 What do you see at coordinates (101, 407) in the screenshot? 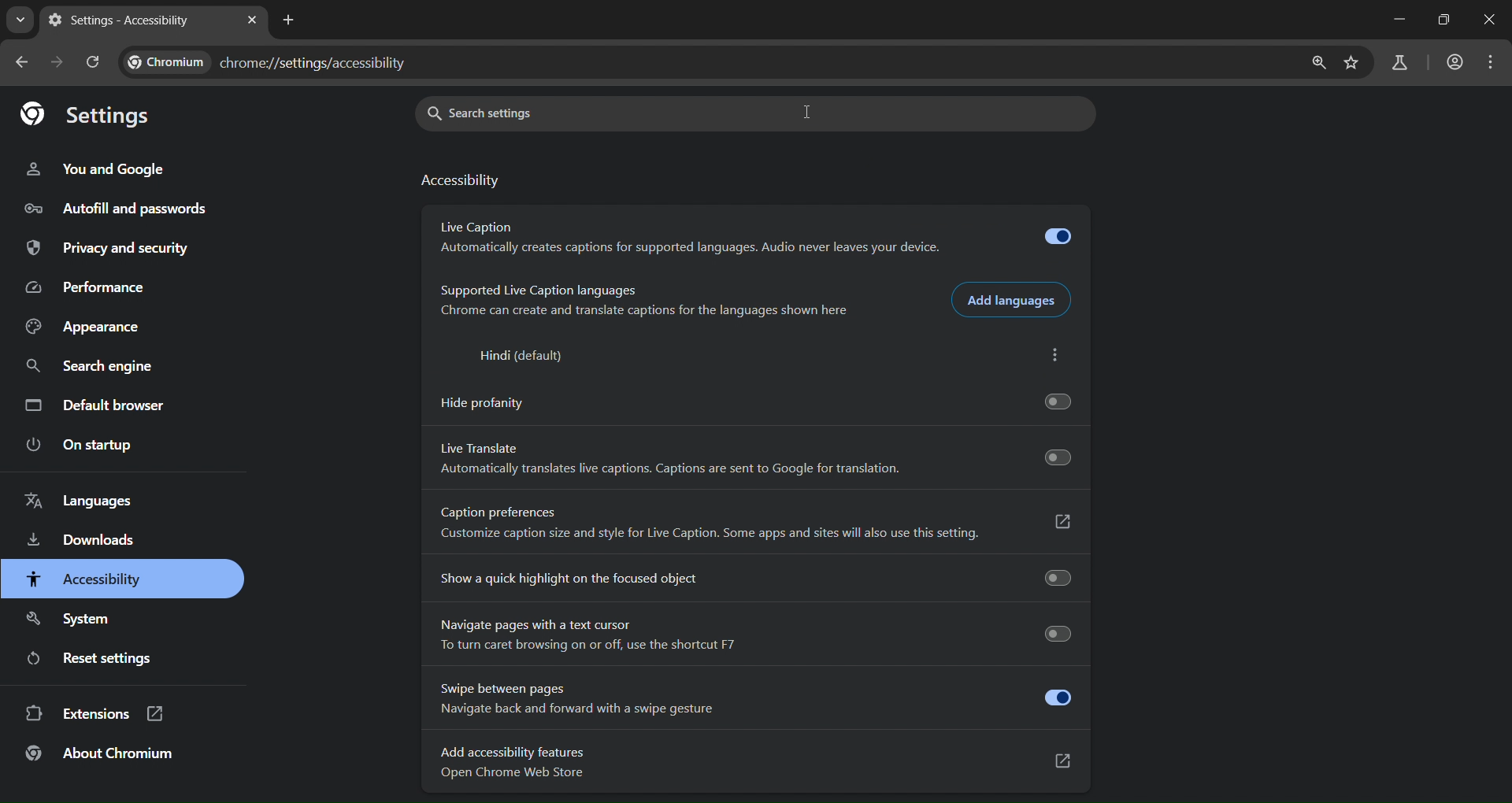
I see `default browser` at bounding box center [101, 407].